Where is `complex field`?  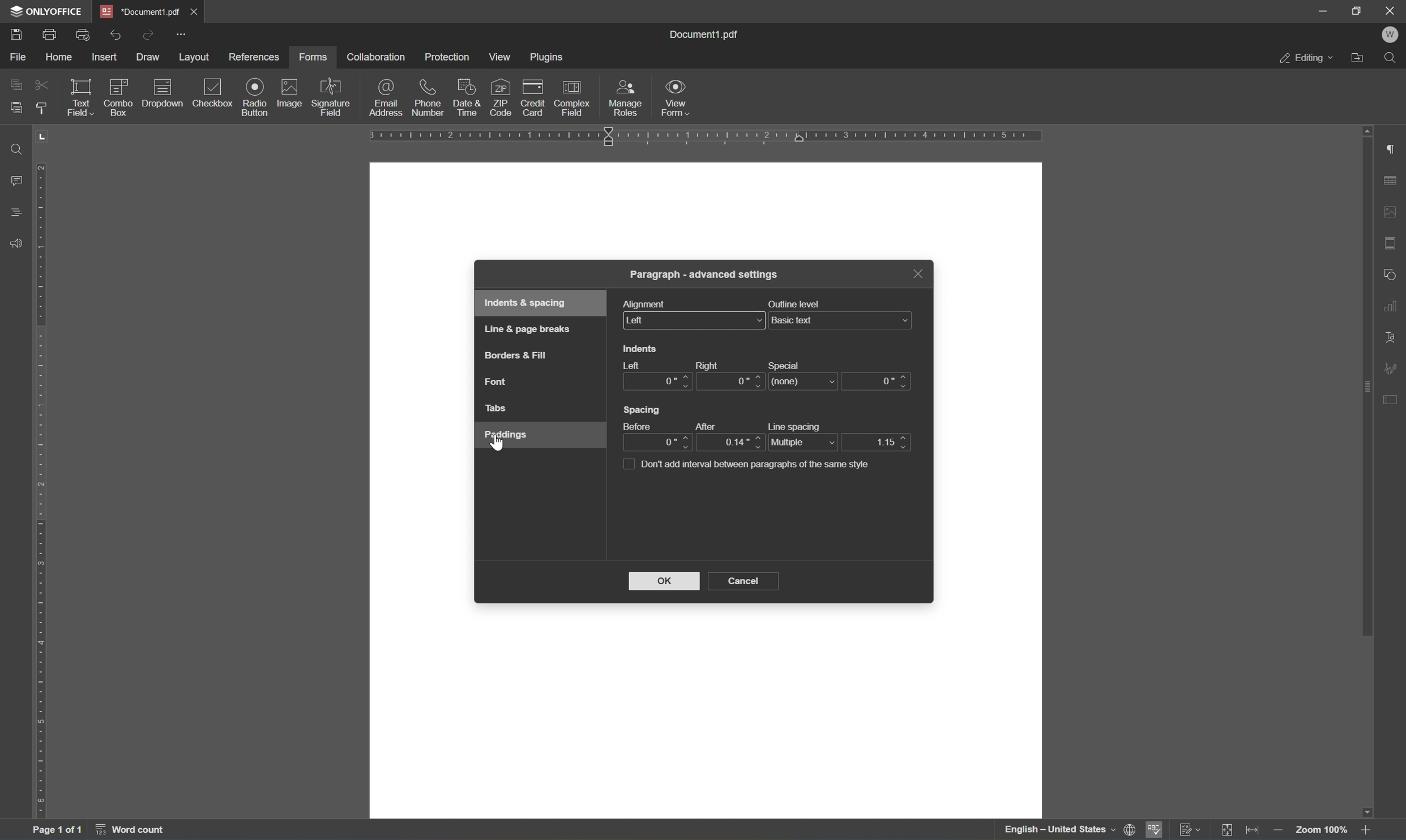 complex field is located at coordinates (573, 97).